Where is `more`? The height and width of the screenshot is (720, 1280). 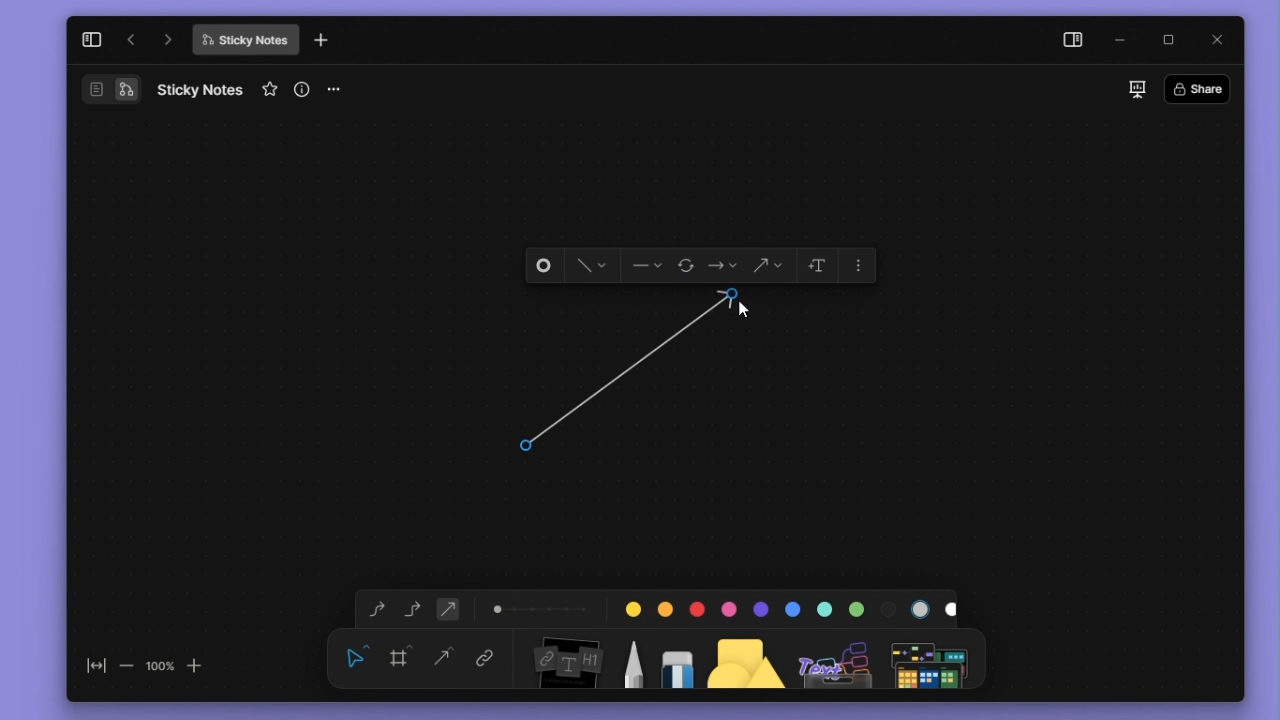 more is located at coordinates (341, 90).